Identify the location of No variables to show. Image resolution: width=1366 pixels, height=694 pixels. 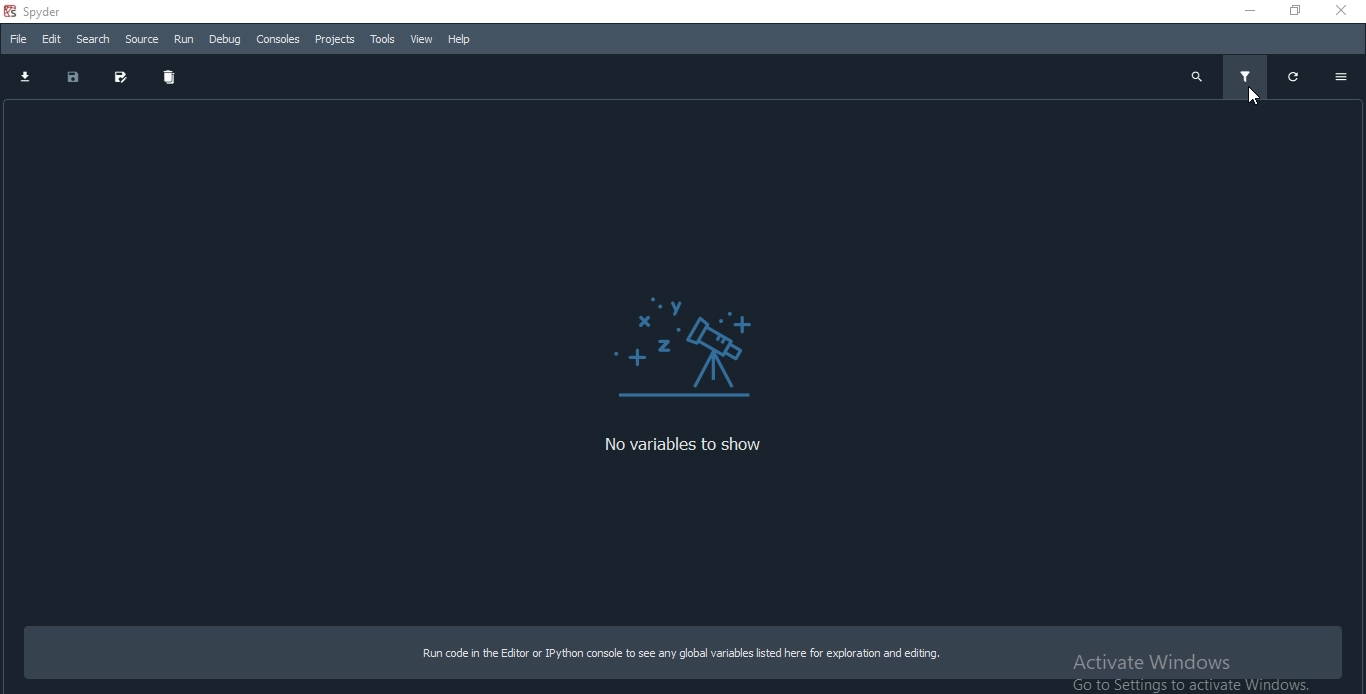
(673, 444).